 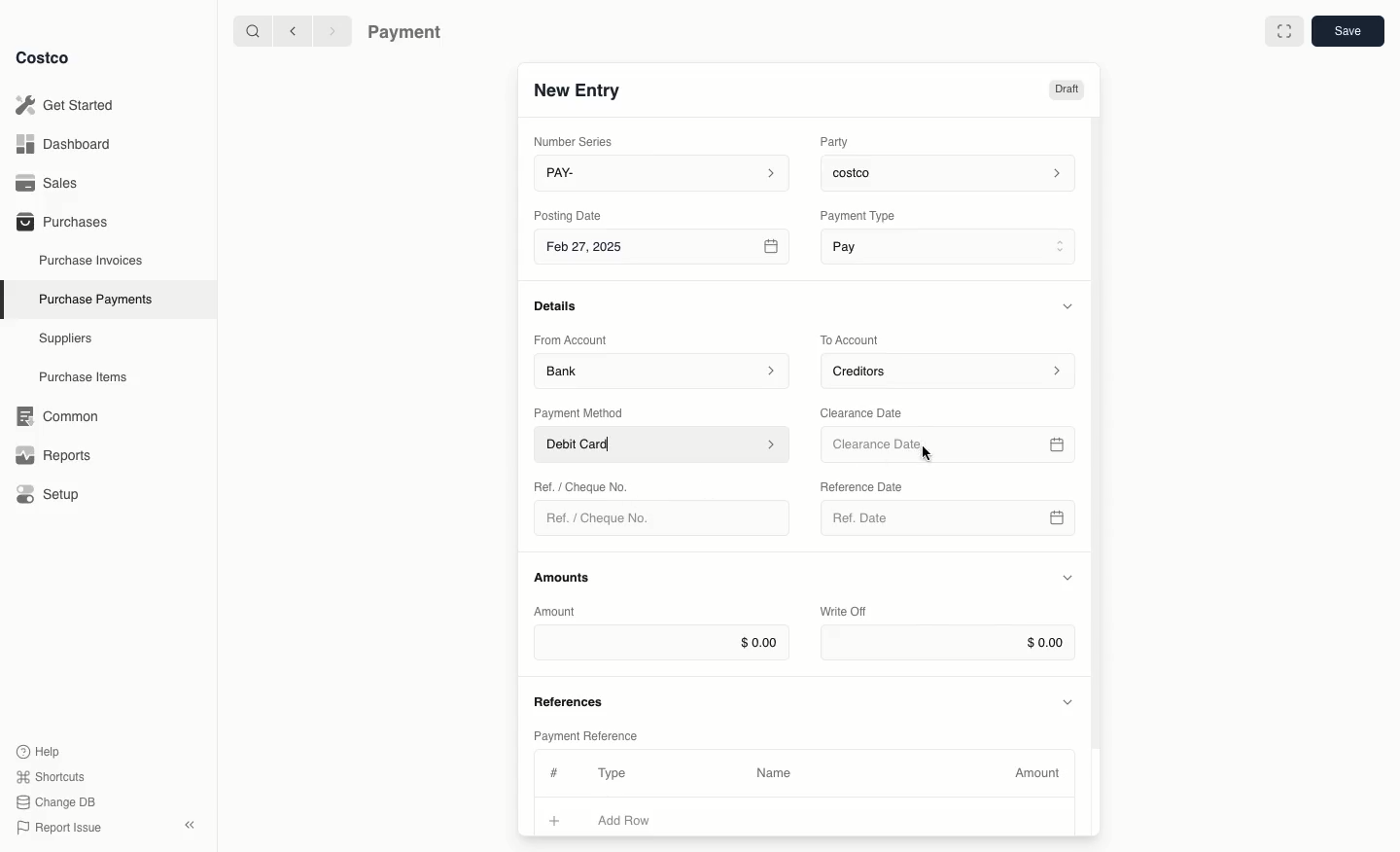 What do you see at coordinates (189, 825) in the screenshot?
I see `collapse` at bounding box center [189, 825].